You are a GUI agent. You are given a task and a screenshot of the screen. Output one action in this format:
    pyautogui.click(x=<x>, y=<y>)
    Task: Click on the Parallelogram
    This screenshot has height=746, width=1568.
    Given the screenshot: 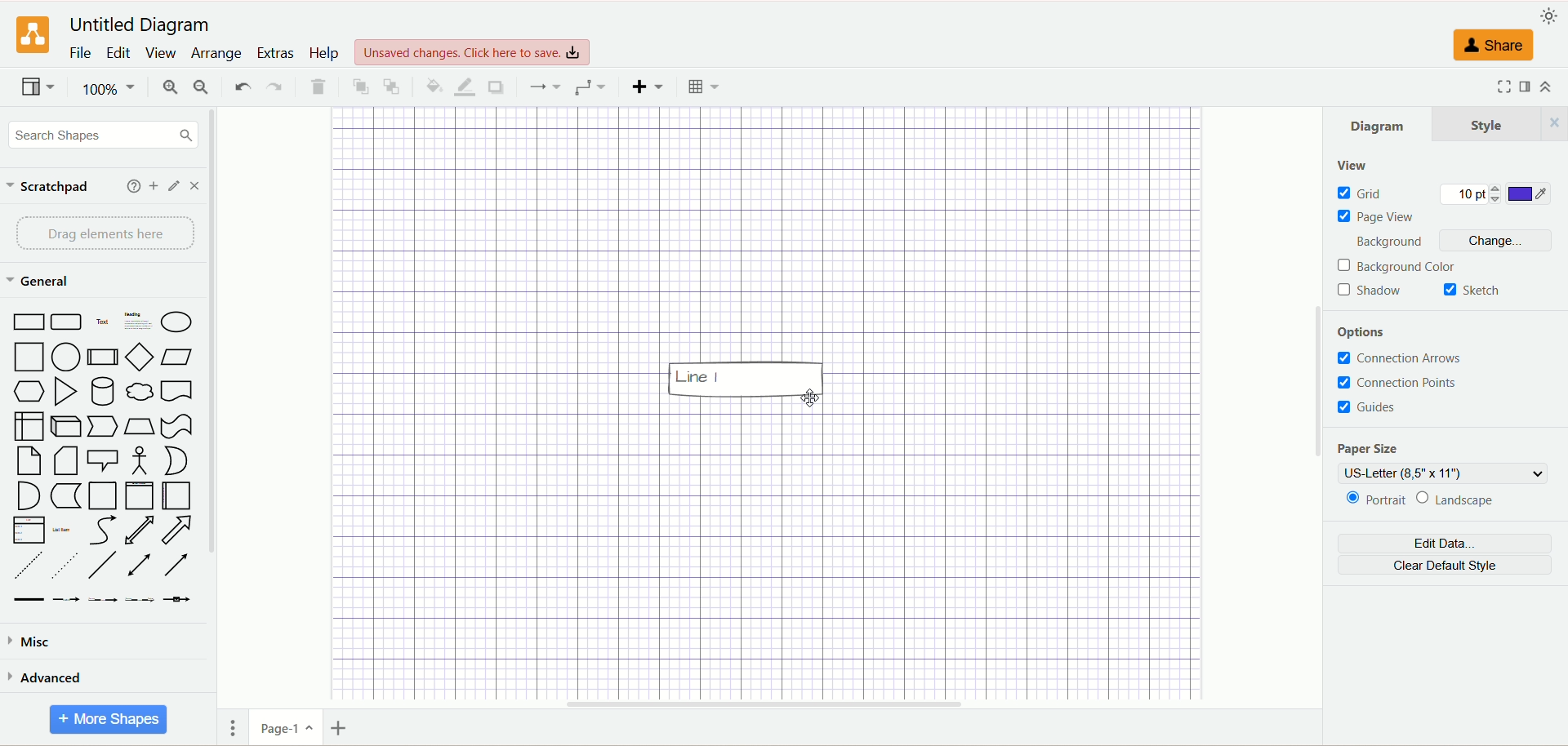 What is the action you would take?
    pyautogui.click(x=176, y=357)
    